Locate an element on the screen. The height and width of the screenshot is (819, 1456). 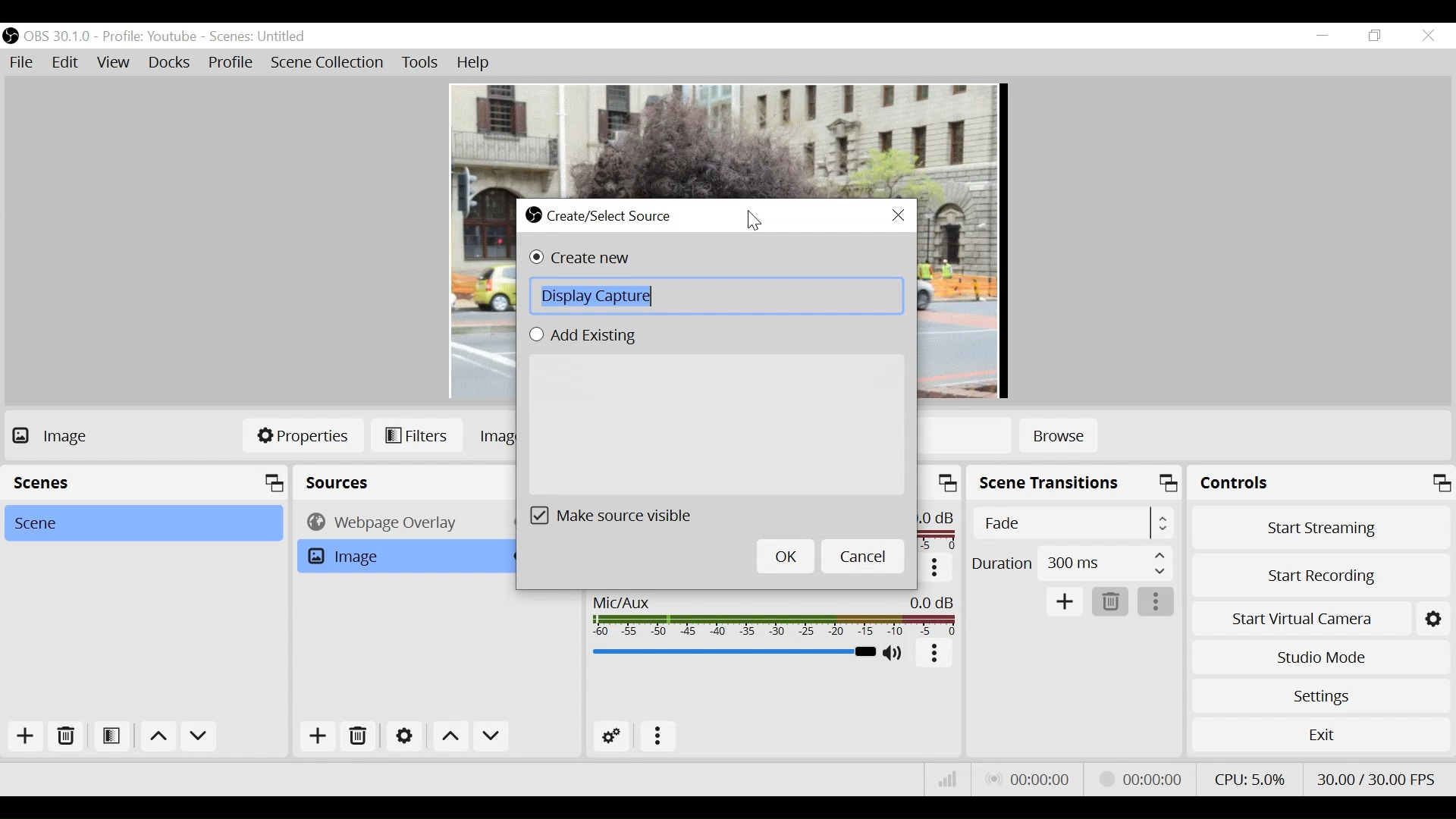
Recording Status is located at coordinates (1145, 777).